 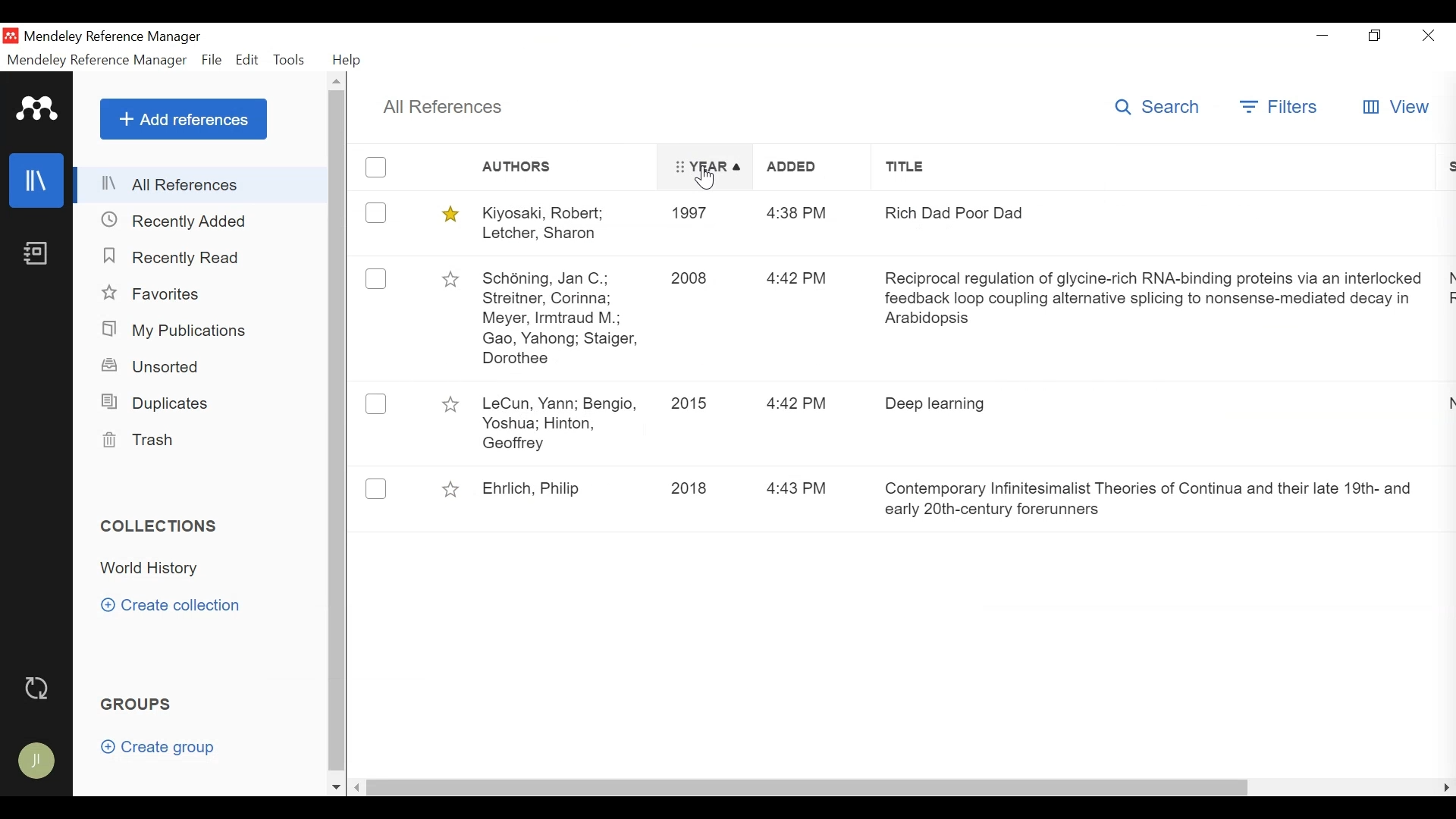 I want to click on Authors, so click(x=566, y=168).